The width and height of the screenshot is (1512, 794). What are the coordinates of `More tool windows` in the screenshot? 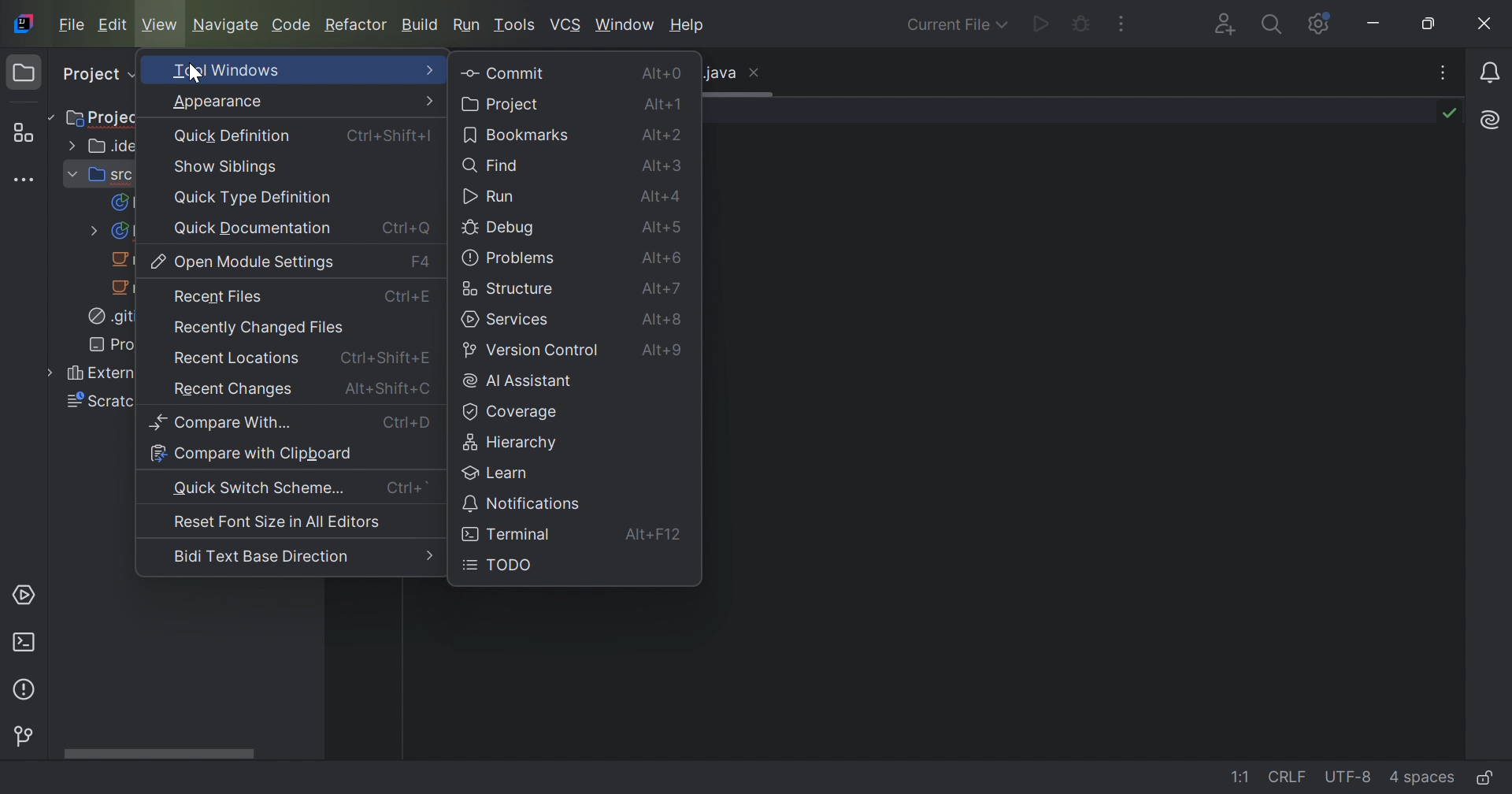 It's located at (26, 182).